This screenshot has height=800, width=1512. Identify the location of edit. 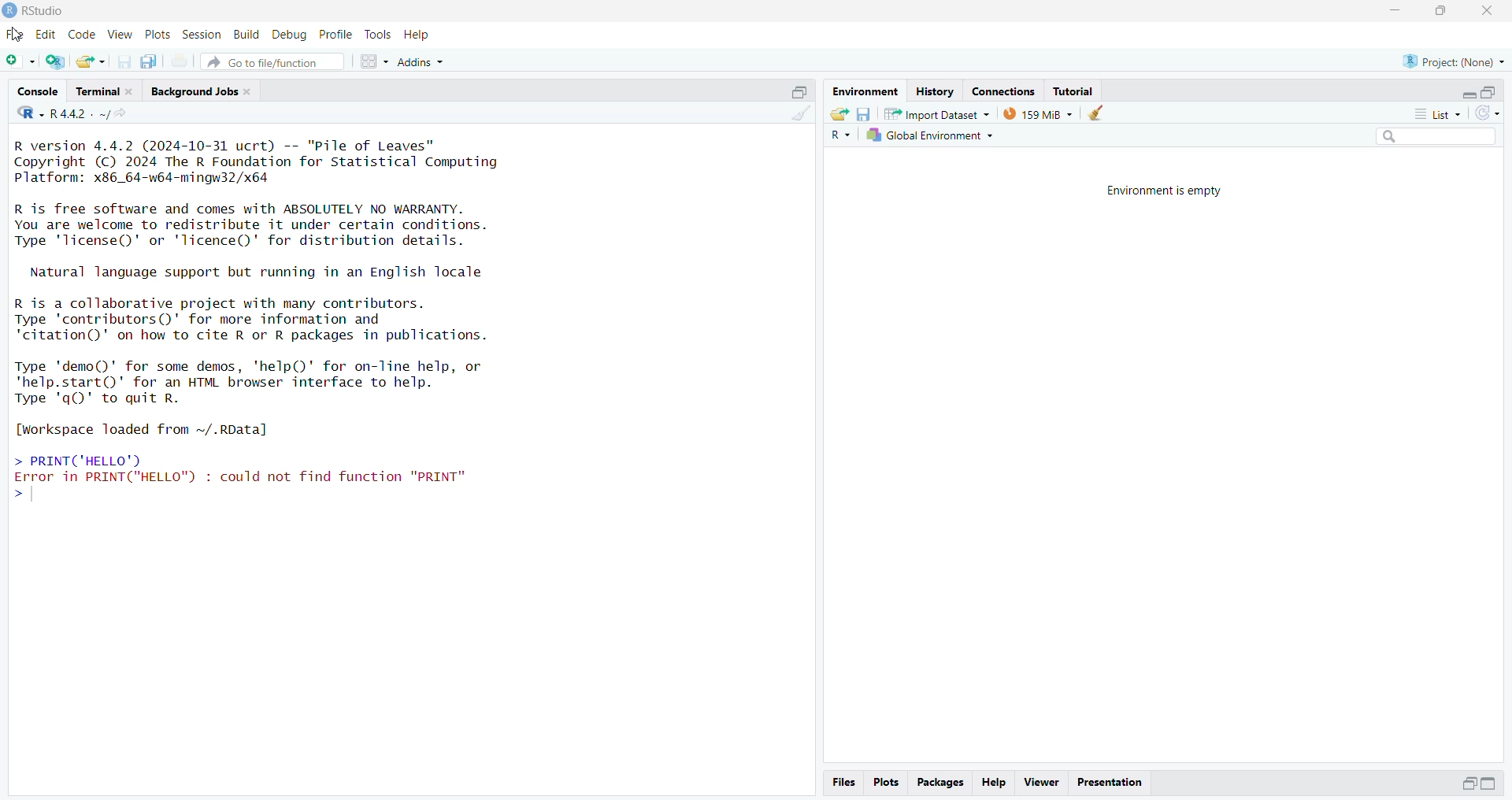
(49, 35).